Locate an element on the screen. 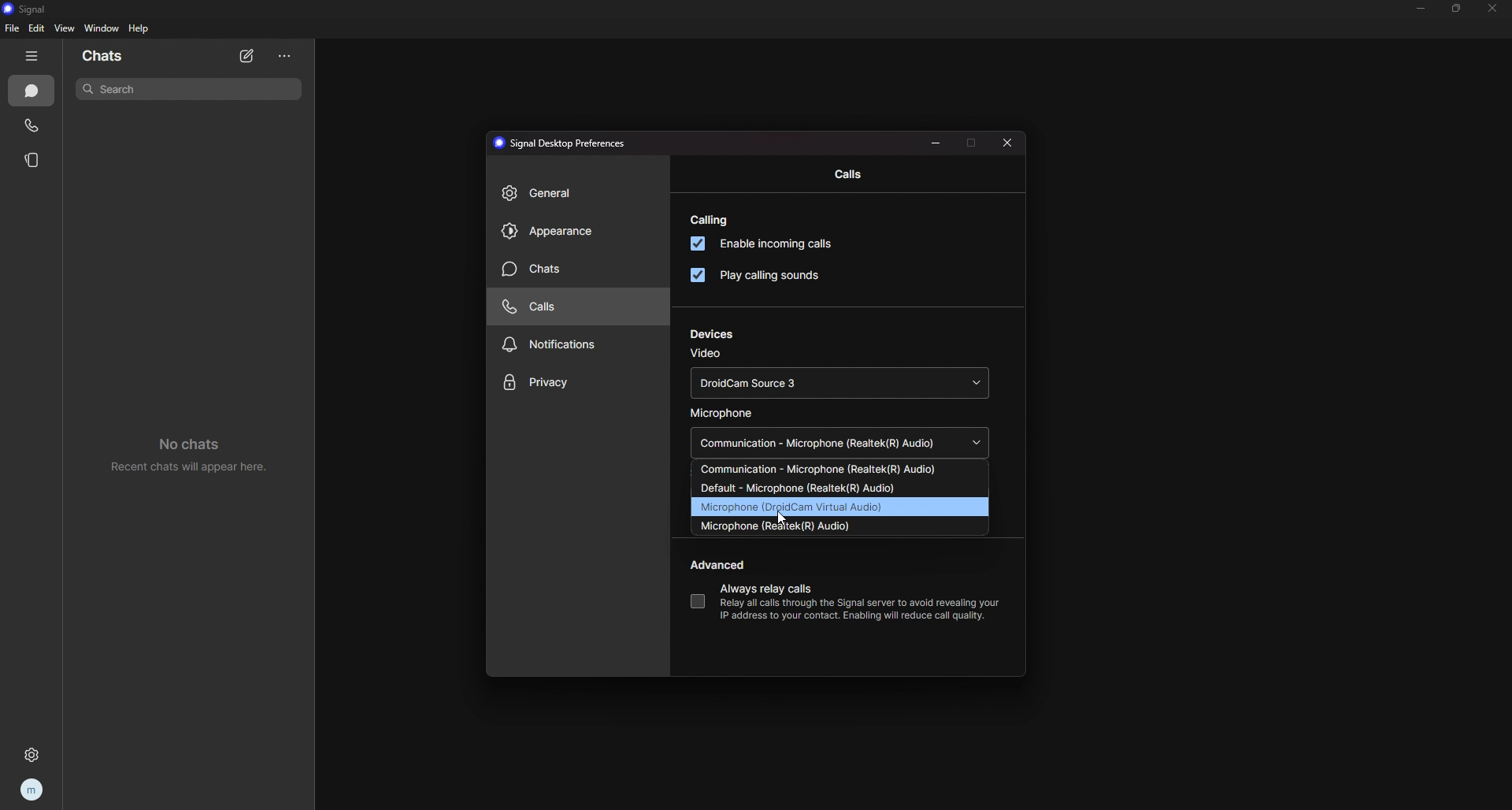  options is located at coordinates (284, 57).